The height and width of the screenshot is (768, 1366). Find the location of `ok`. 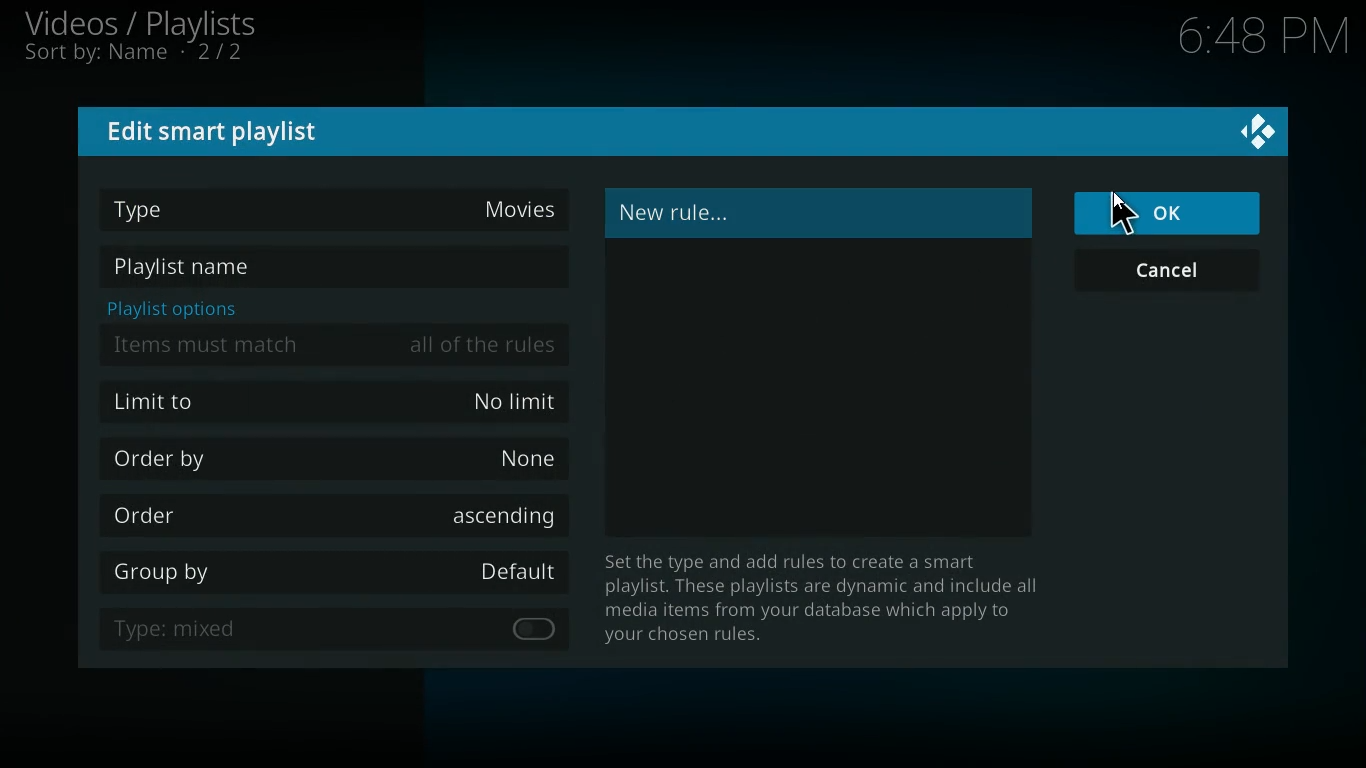

ok is located at coordinates (1171, 213).